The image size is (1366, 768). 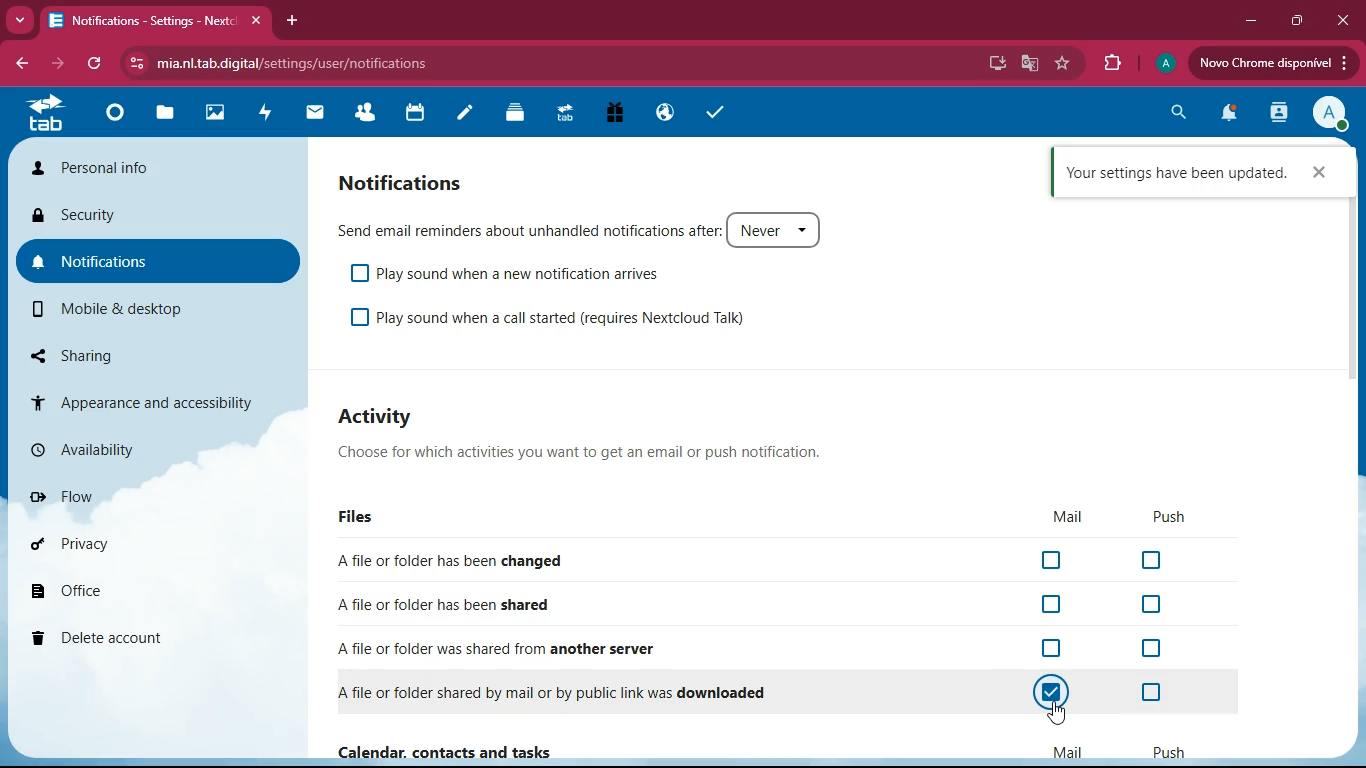 What do you see at coordinates (311, 115) in the screenshot?
I see `mail` at bounding box center [311, 115].